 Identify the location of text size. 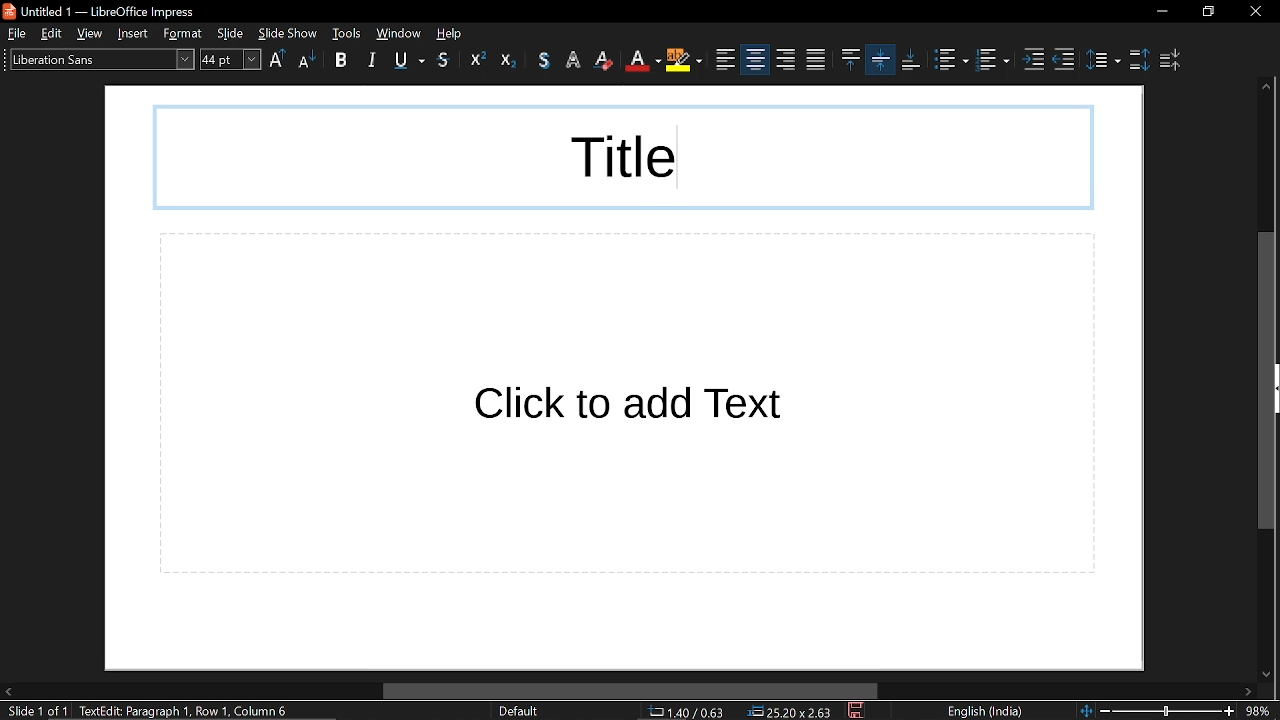
(230, 59).